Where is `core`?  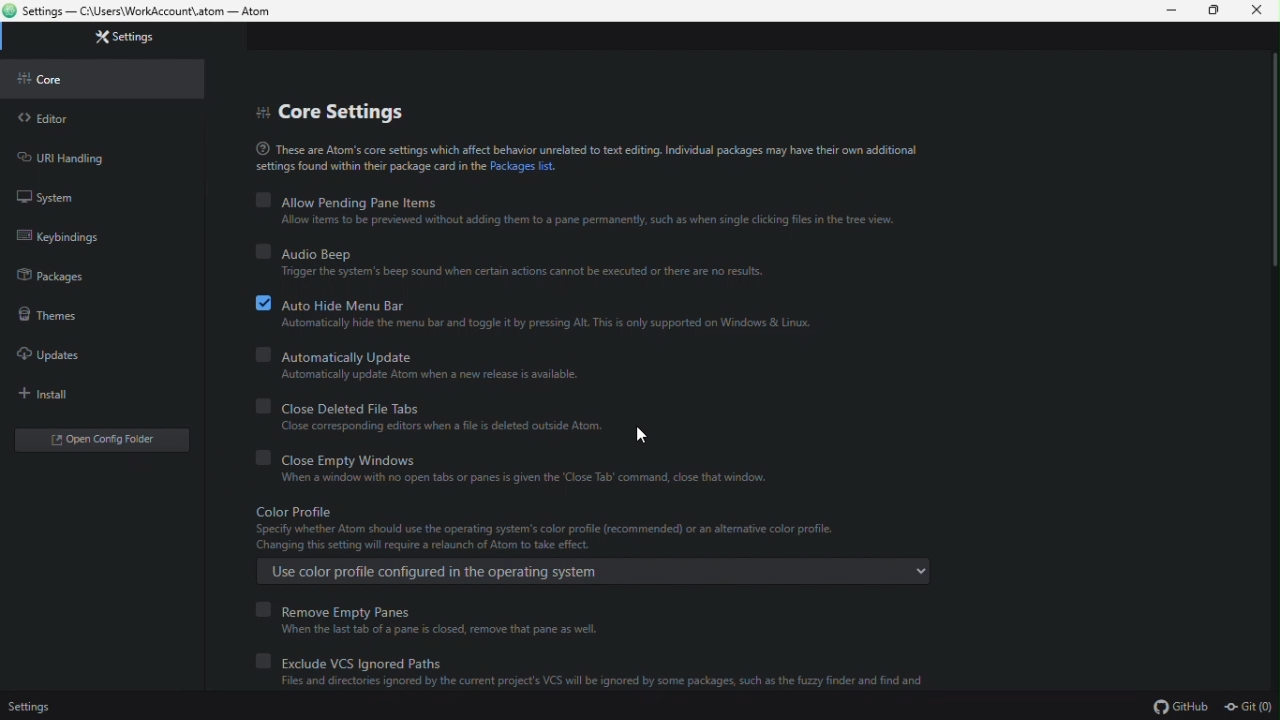 core is located at coordinates (43, 80).